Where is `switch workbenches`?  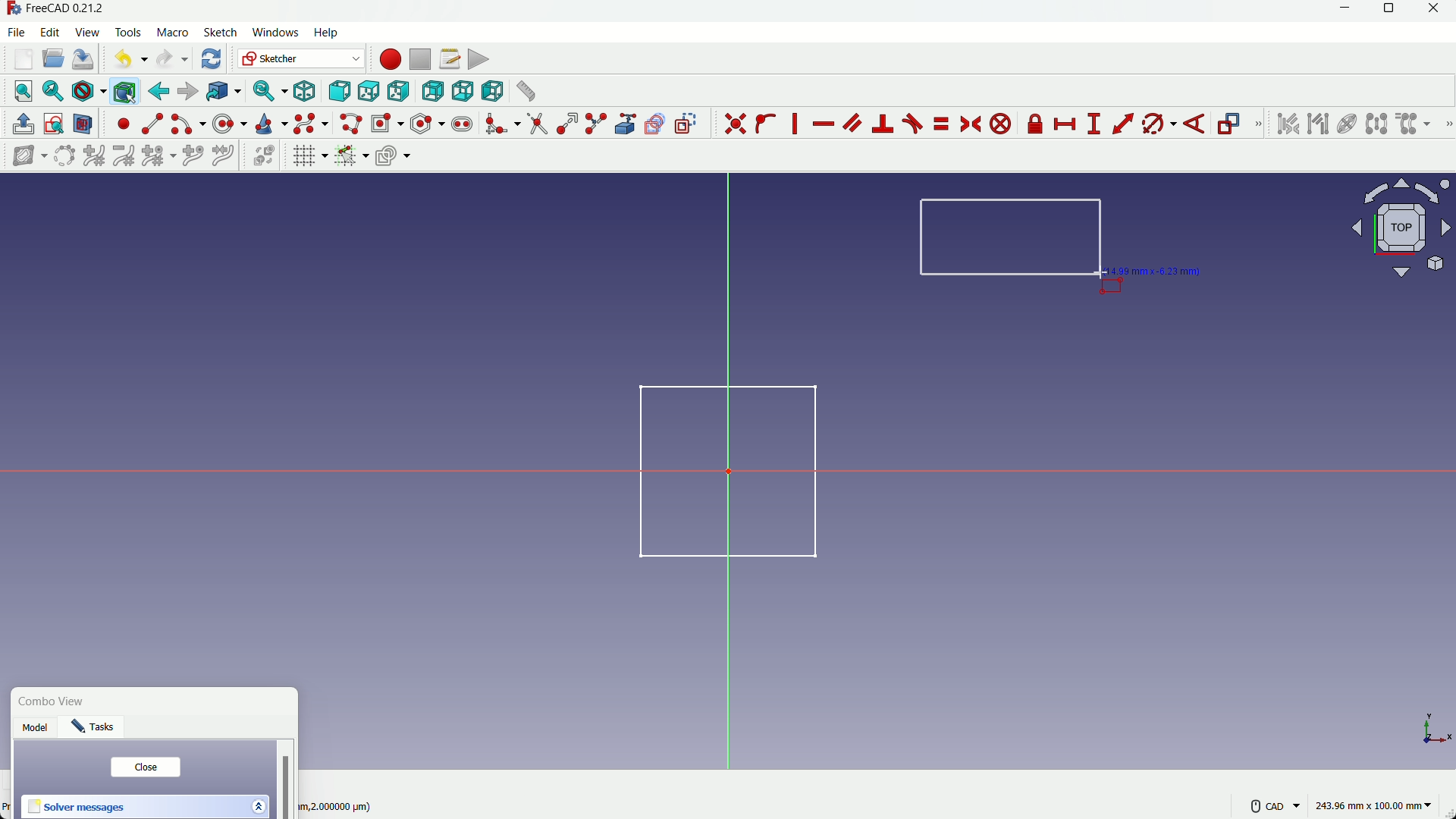
switch workbenches is located at coordinates (300, 58).